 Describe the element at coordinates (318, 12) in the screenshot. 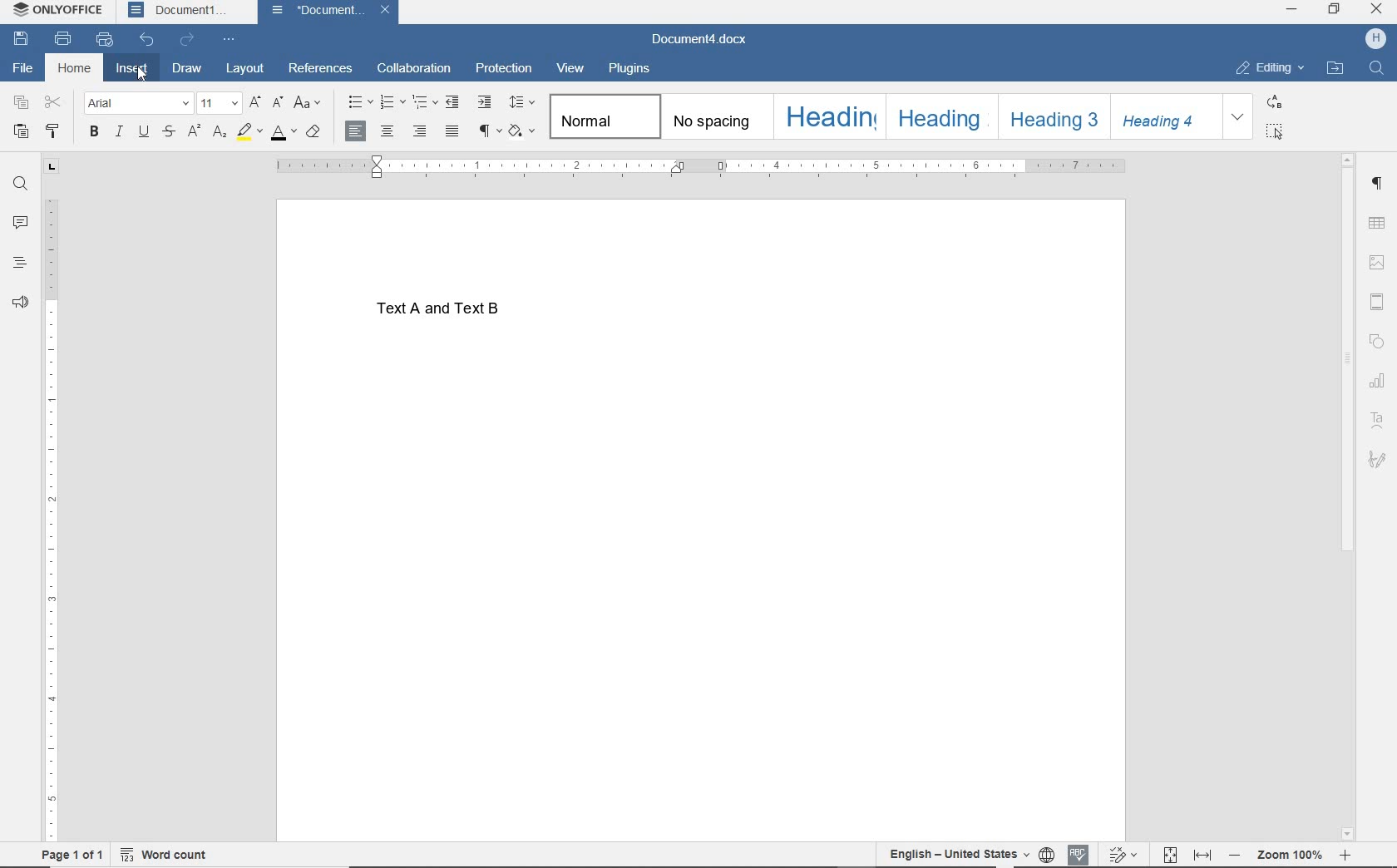

I see `document` at that location.